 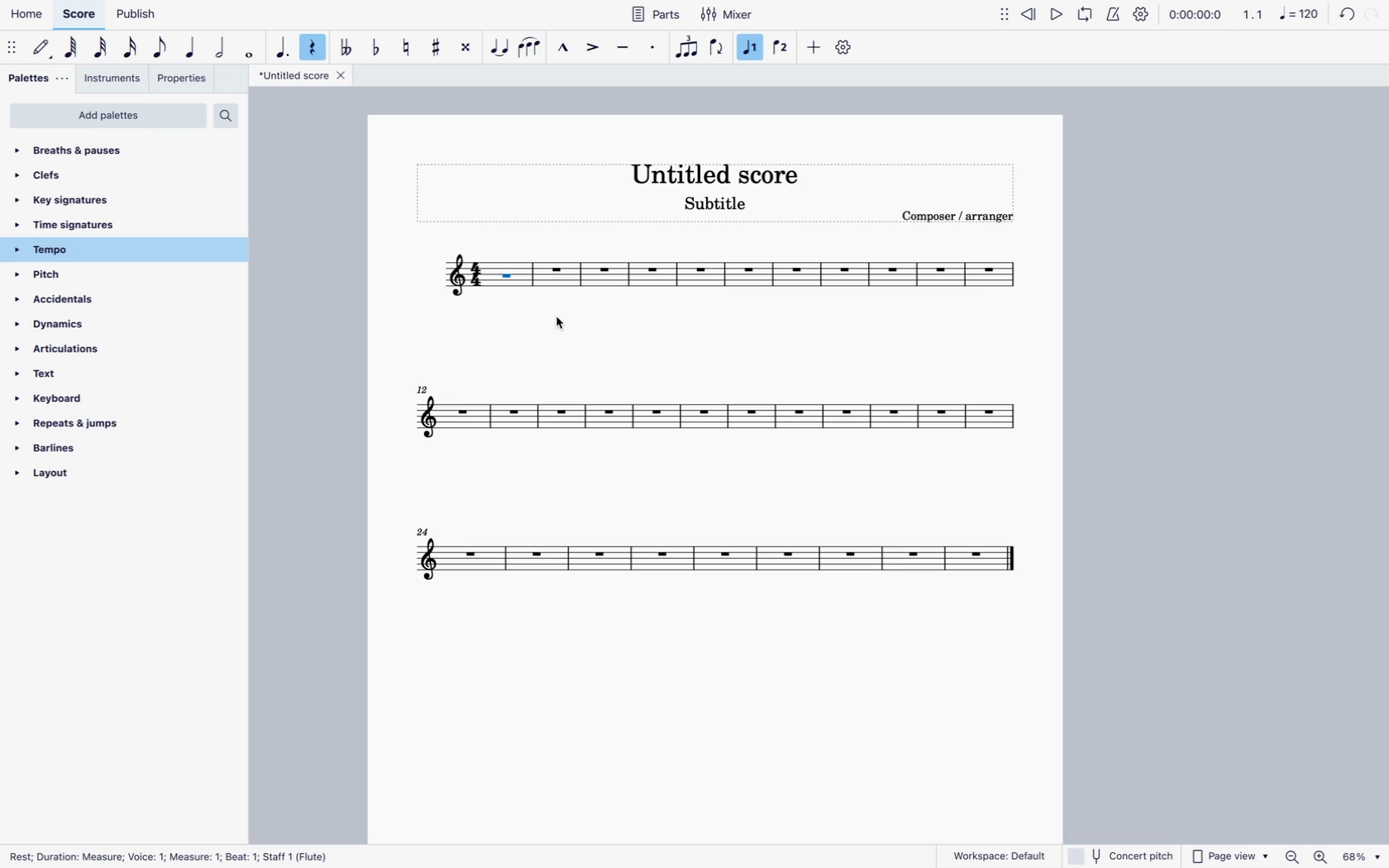 I want to click on rewind, so click(x=1029, y=13).